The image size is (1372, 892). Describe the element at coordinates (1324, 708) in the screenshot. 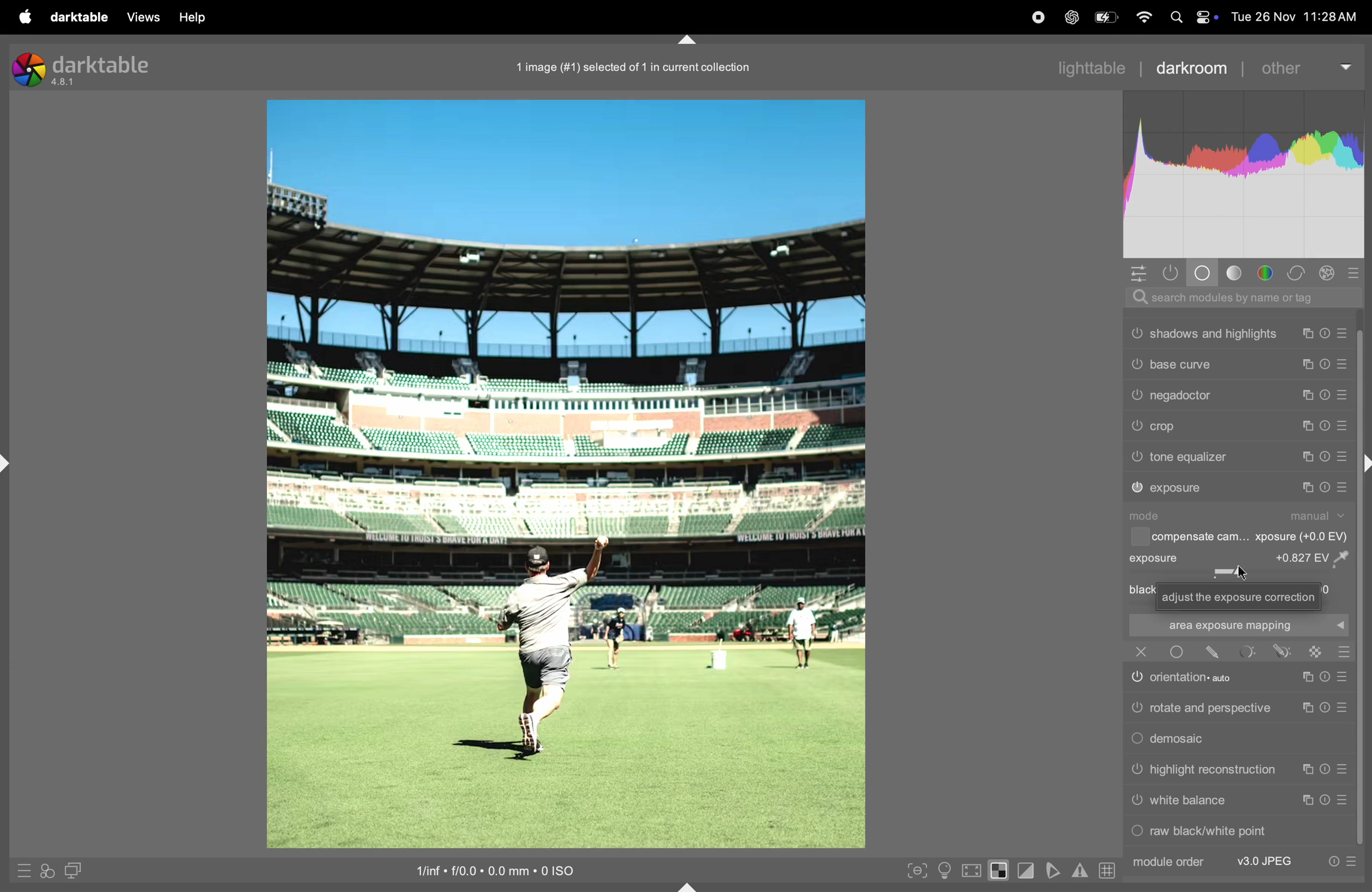

I see `reset Preset` at that location.